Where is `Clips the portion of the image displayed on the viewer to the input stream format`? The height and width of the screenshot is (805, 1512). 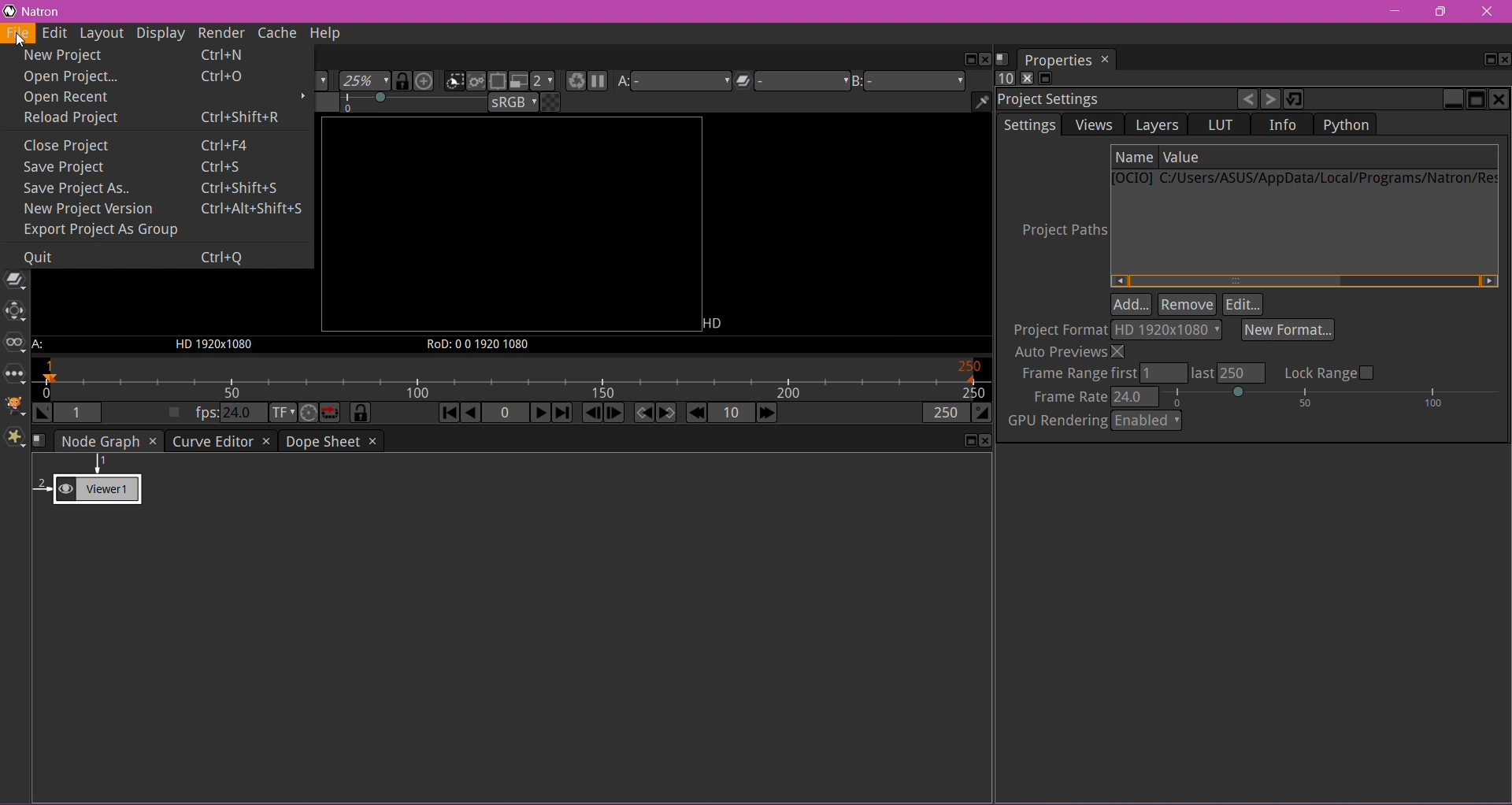 Clips the portion of the image displayed on the viewer to the input stream format is located at coordinates (454, 82).